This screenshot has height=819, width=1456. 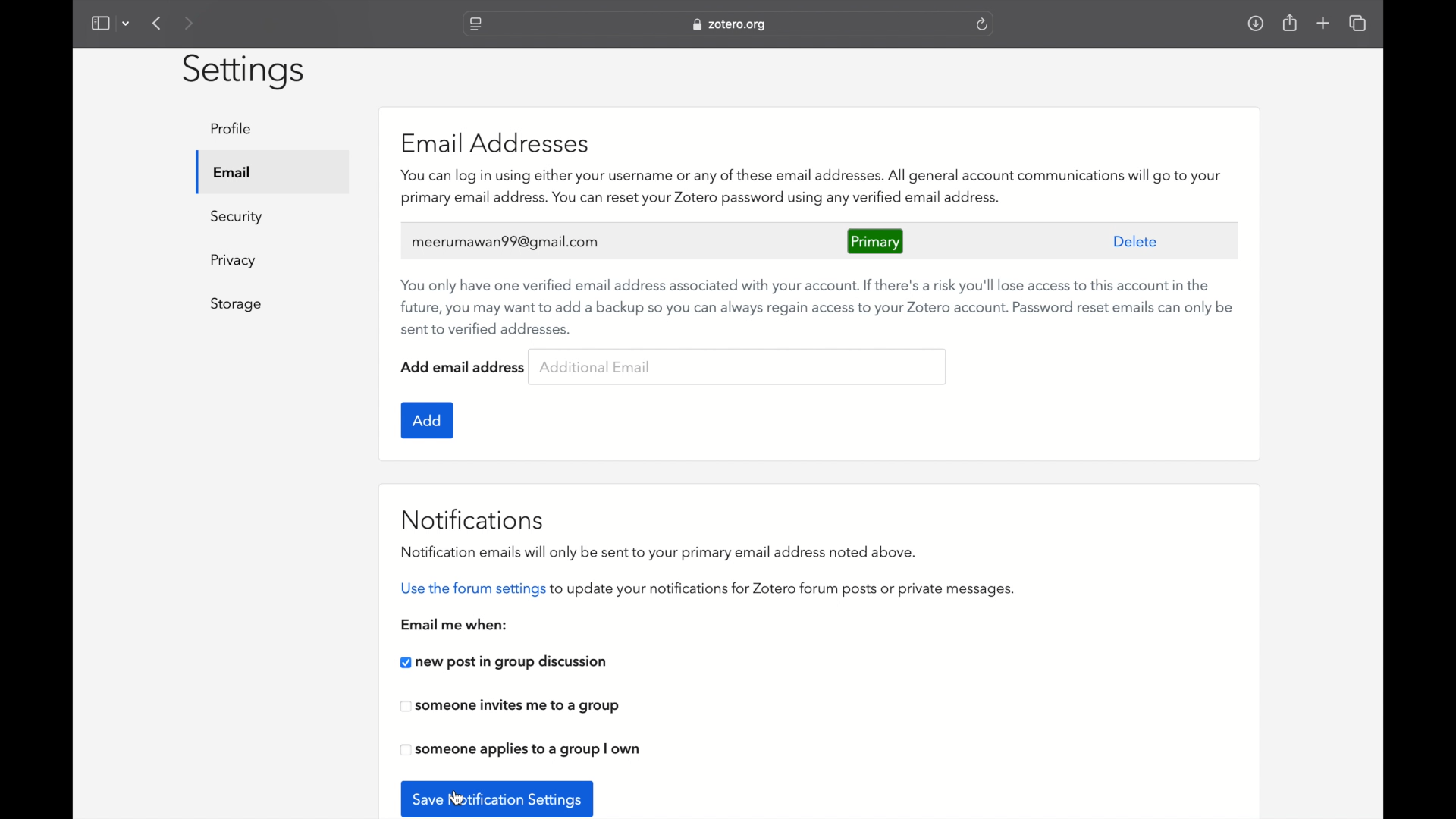 I want to click on security, so click(x=237, y=216).